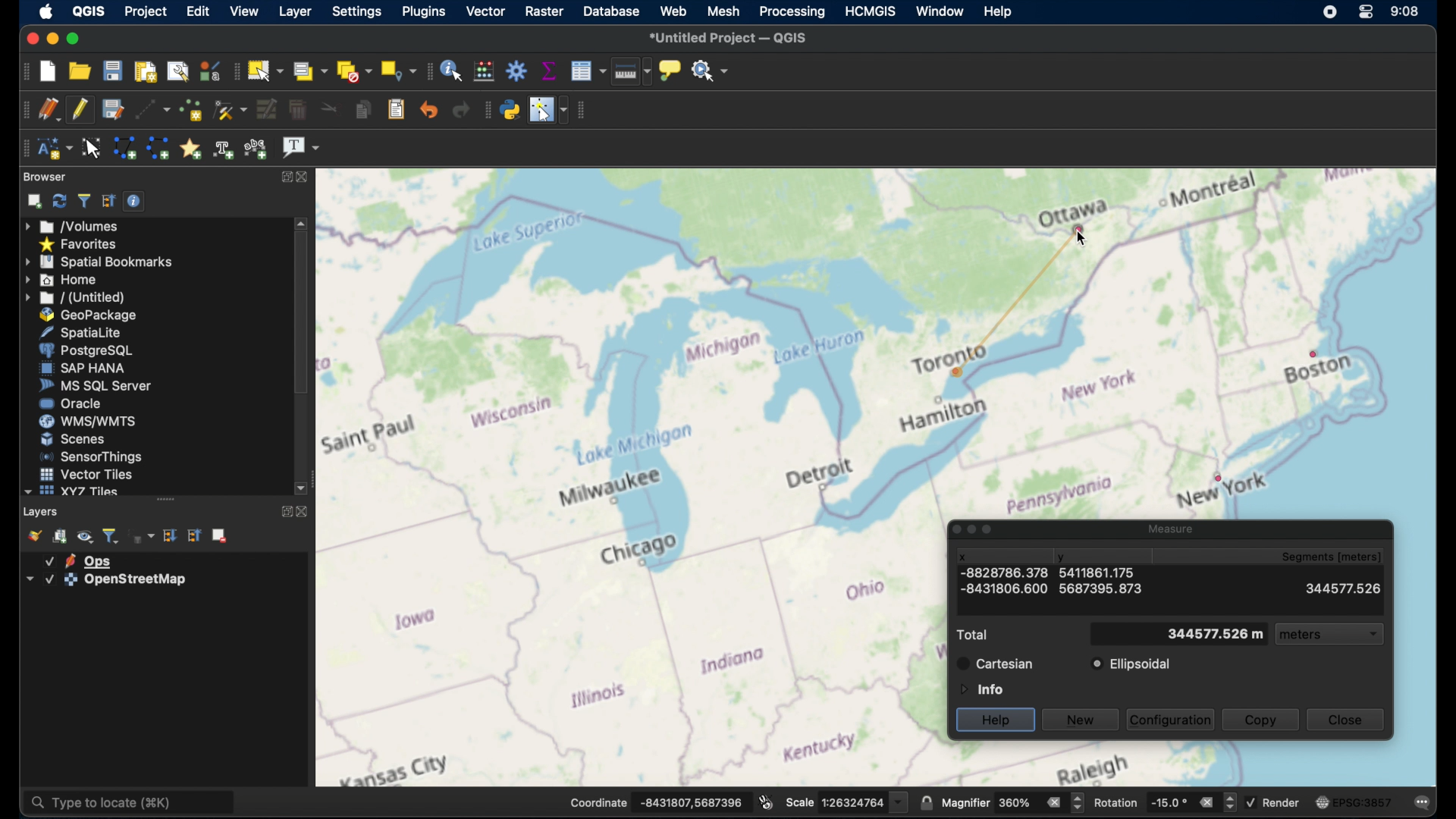  I want to click on comments, so click(1423, 801).